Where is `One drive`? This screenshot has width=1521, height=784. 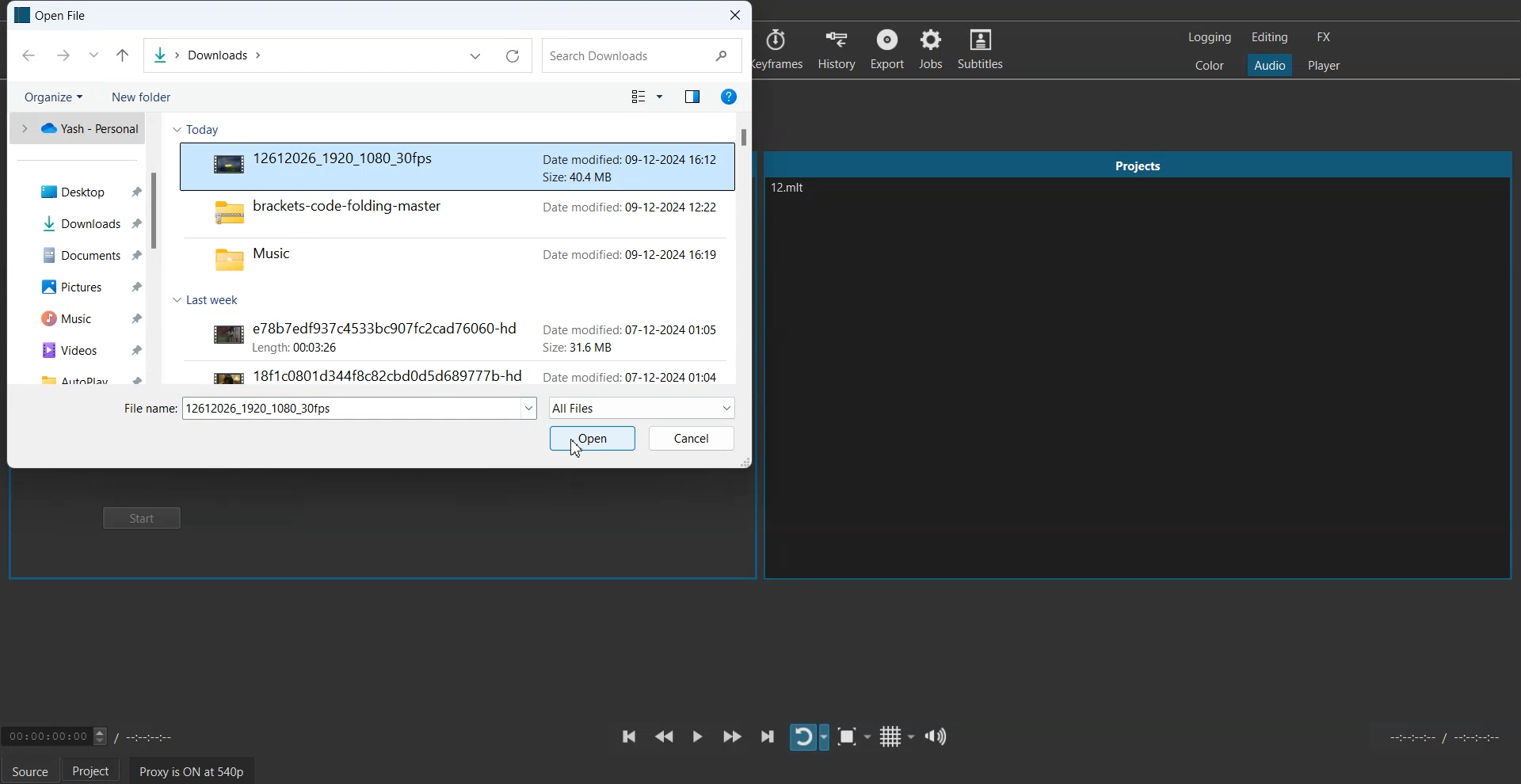
One drive is located at coordinates (77, 128).